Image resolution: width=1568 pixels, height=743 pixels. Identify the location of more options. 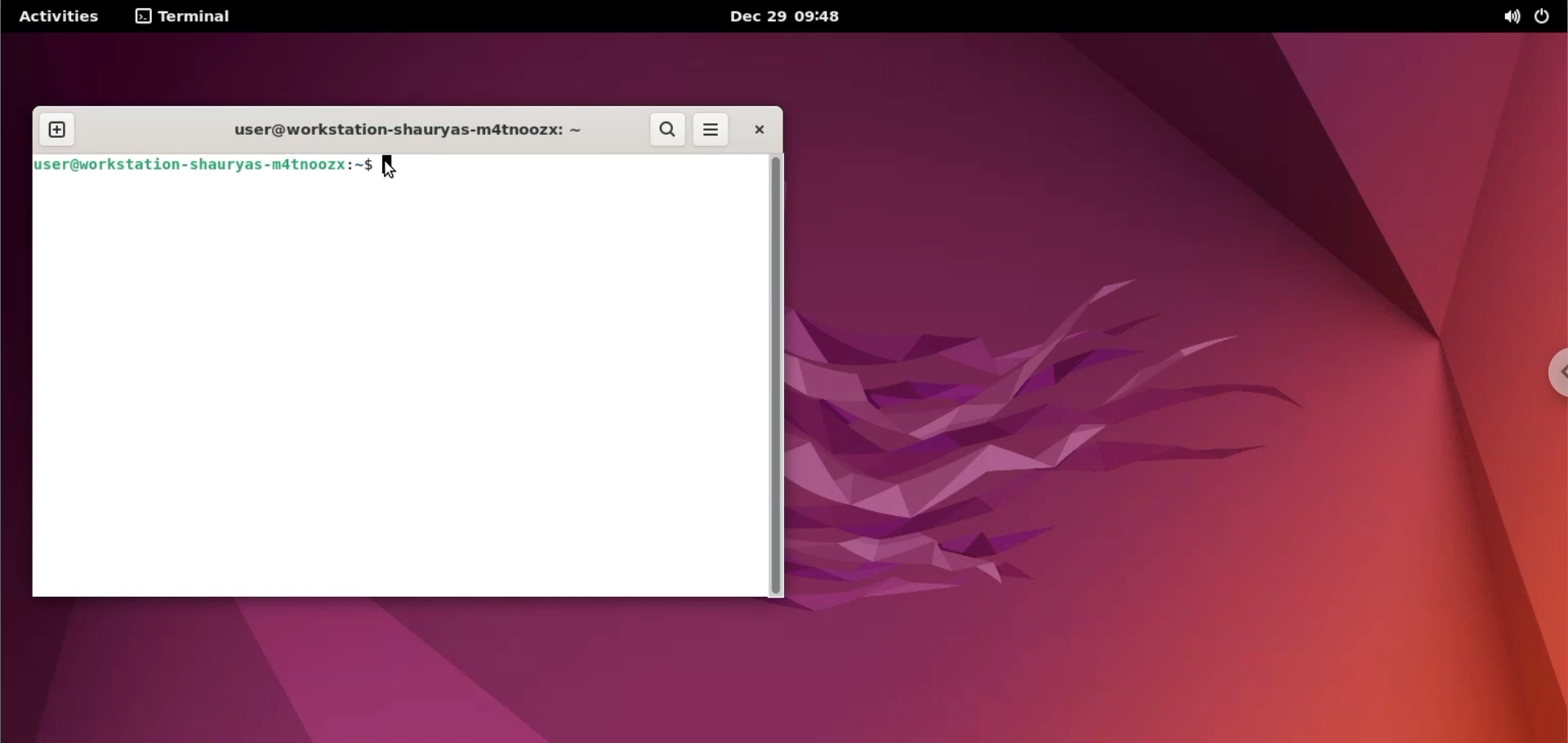
(712, 129).